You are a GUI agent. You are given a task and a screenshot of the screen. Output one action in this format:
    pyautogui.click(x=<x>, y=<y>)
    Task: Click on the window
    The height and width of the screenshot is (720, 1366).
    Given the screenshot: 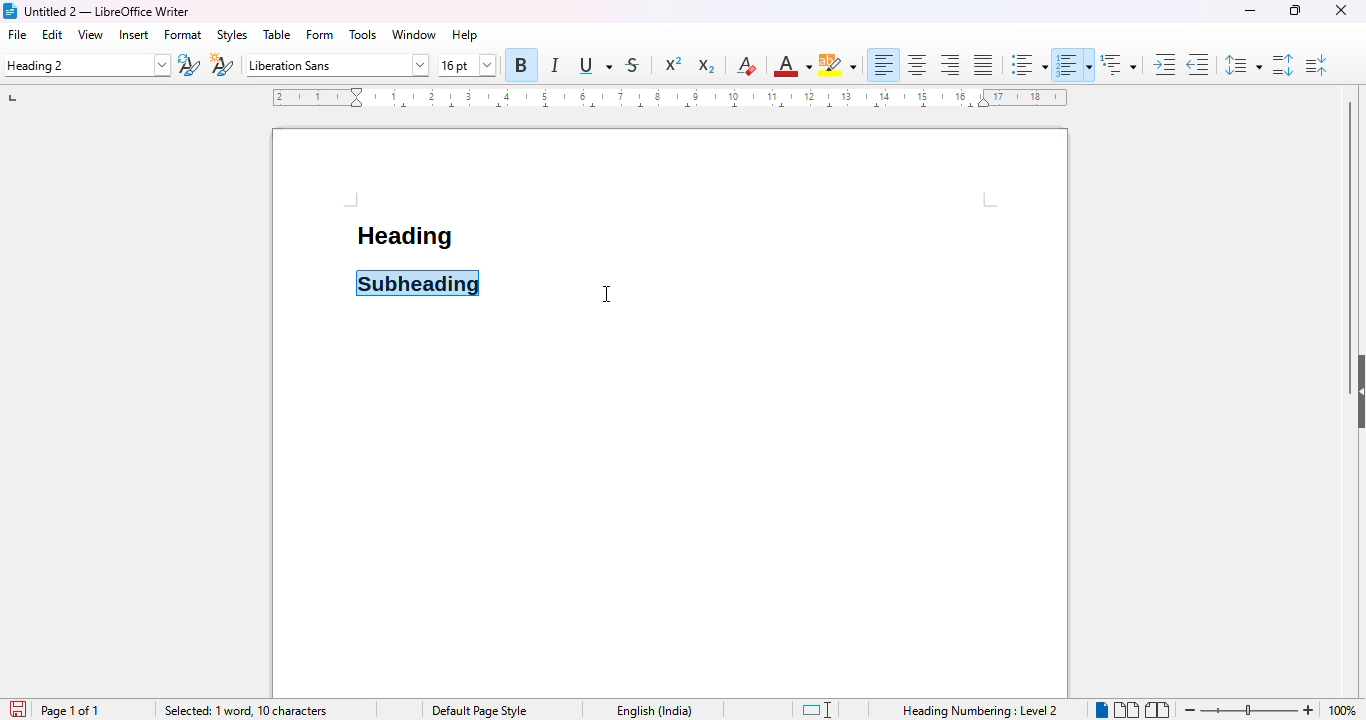 What is the action you would take?
    pyautogui.click(x=415, y=34)
    